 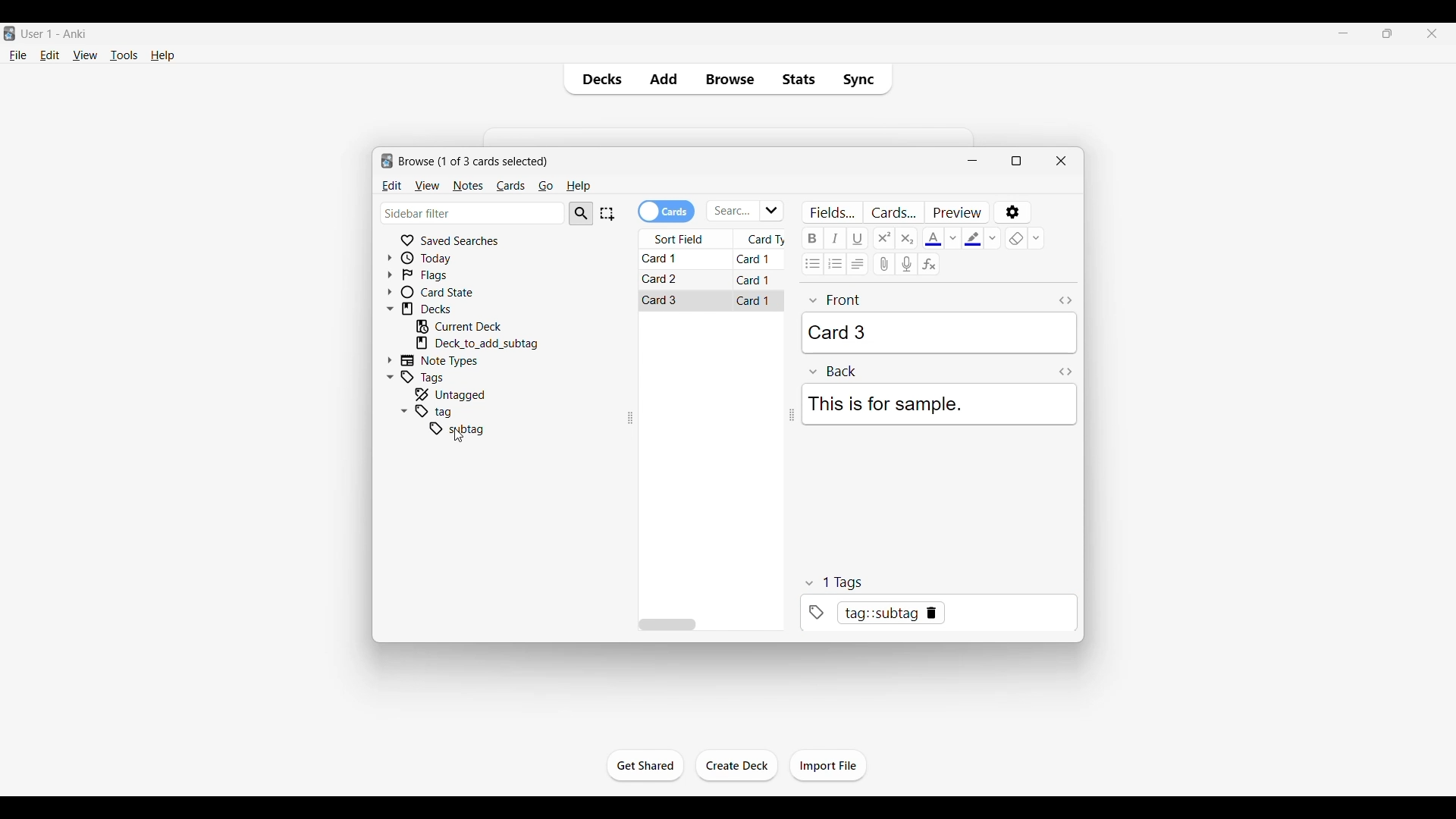 I want to click on Italic text, so click(x=835, y=238).